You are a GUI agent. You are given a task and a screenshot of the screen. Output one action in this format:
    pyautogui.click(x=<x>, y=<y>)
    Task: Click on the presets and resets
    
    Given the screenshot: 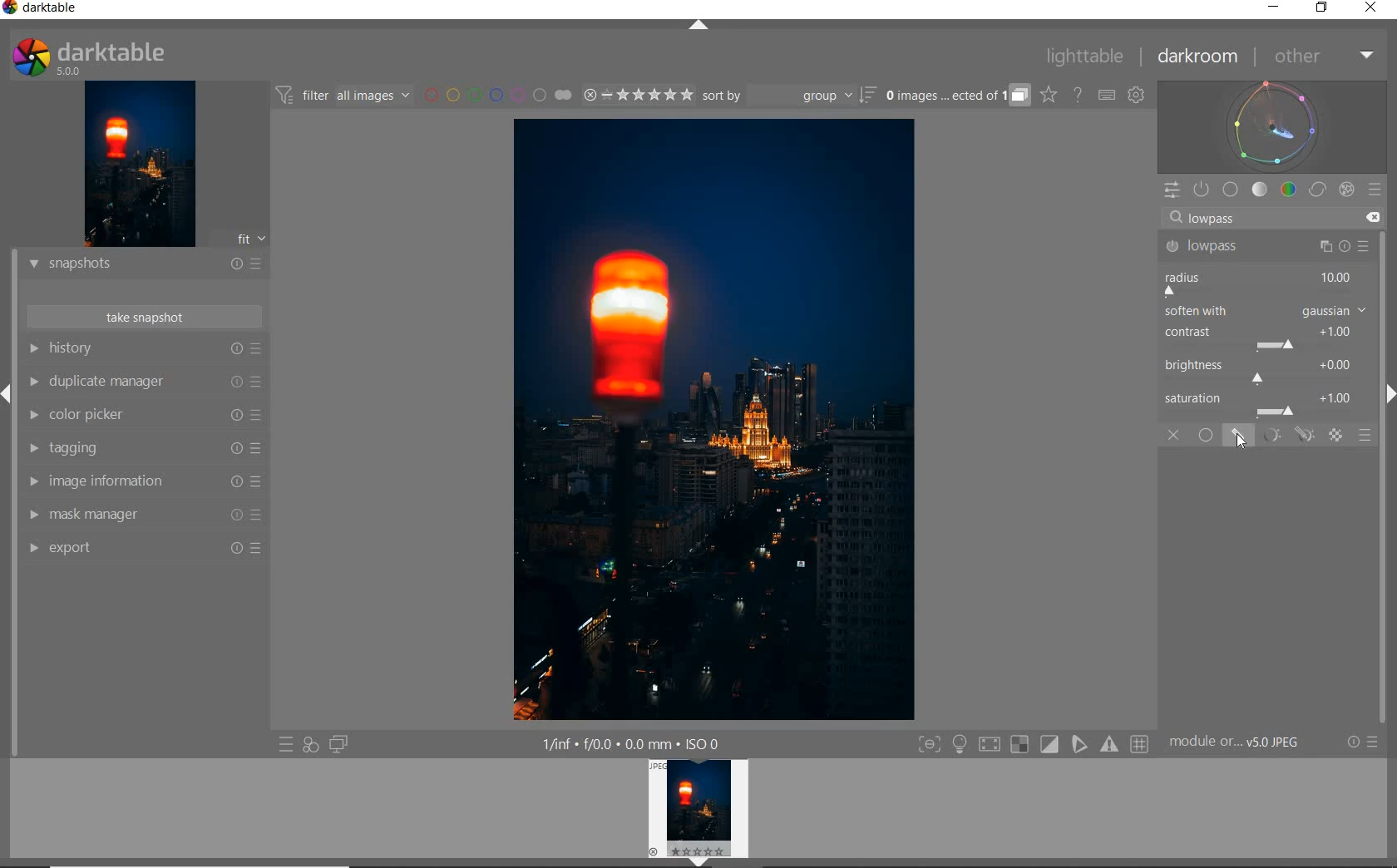 What is the action you would take?
    pyautogui.click(x=259, y=348)
    